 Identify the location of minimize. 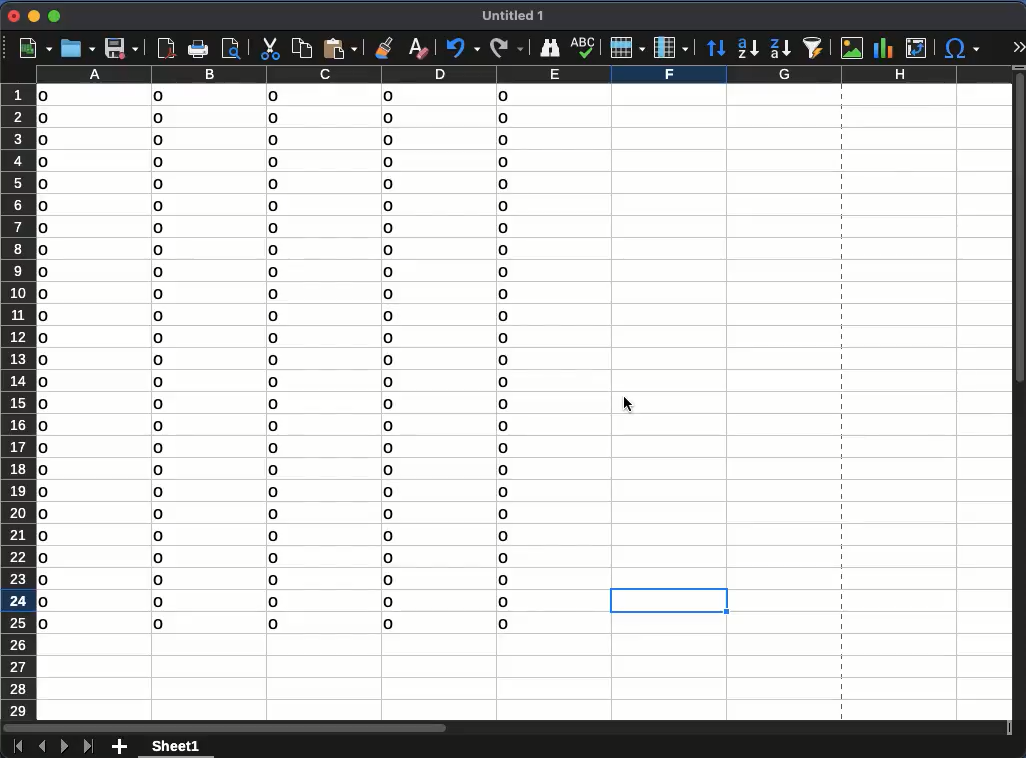
(33, 16).